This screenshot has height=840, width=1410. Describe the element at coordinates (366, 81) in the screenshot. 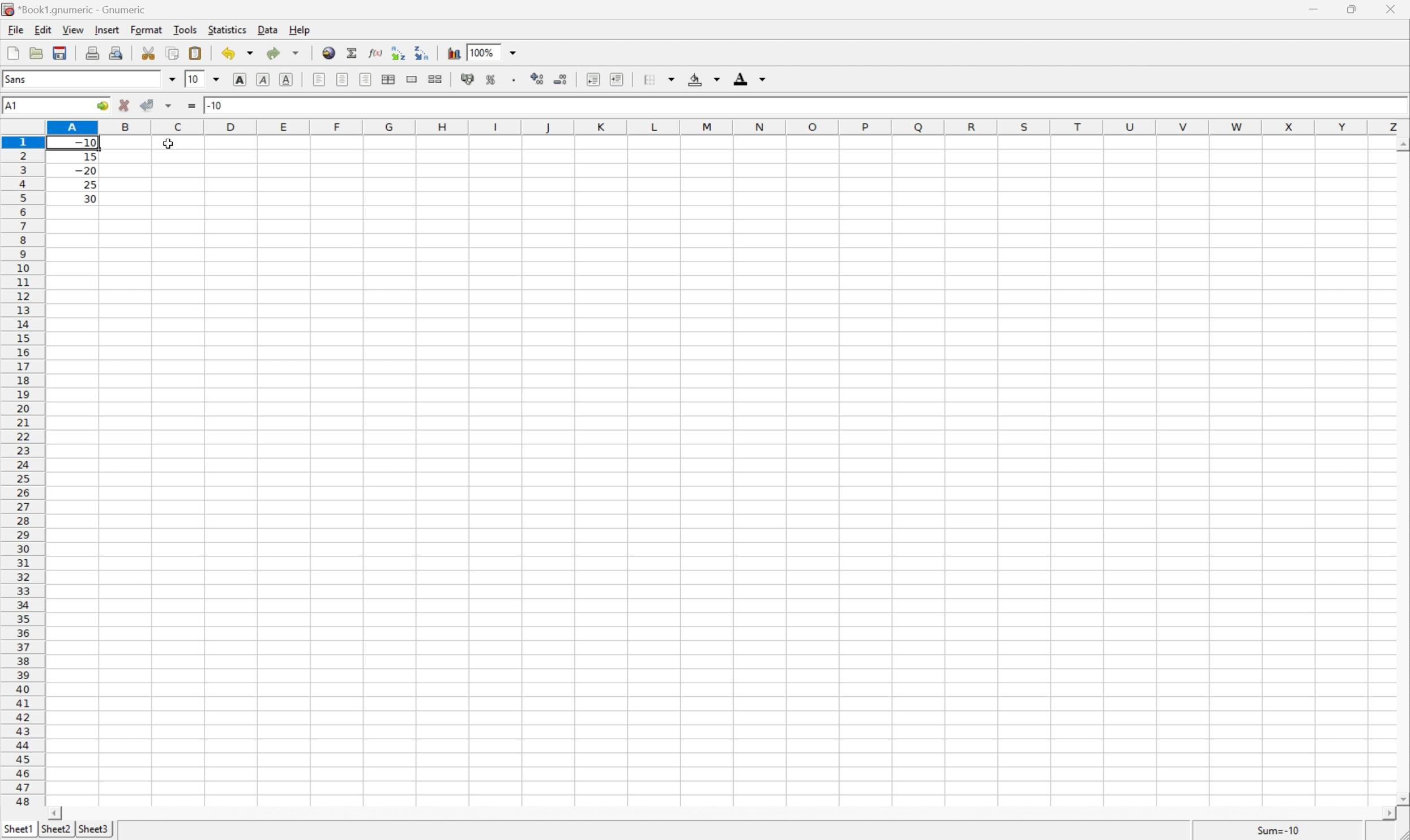

I see `align right` at that location.